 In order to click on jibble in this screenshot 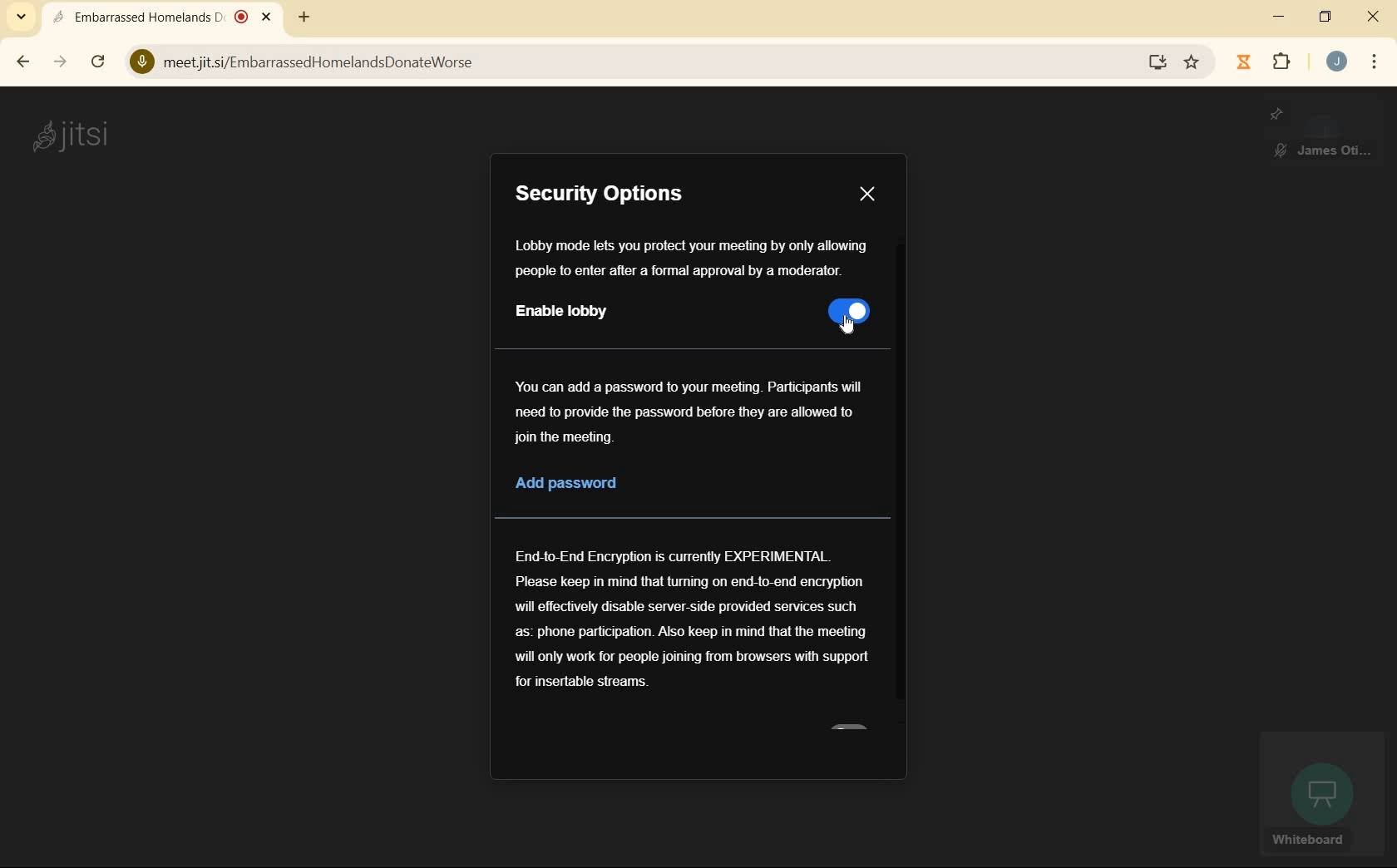, I will do `click(1247, 62)`.